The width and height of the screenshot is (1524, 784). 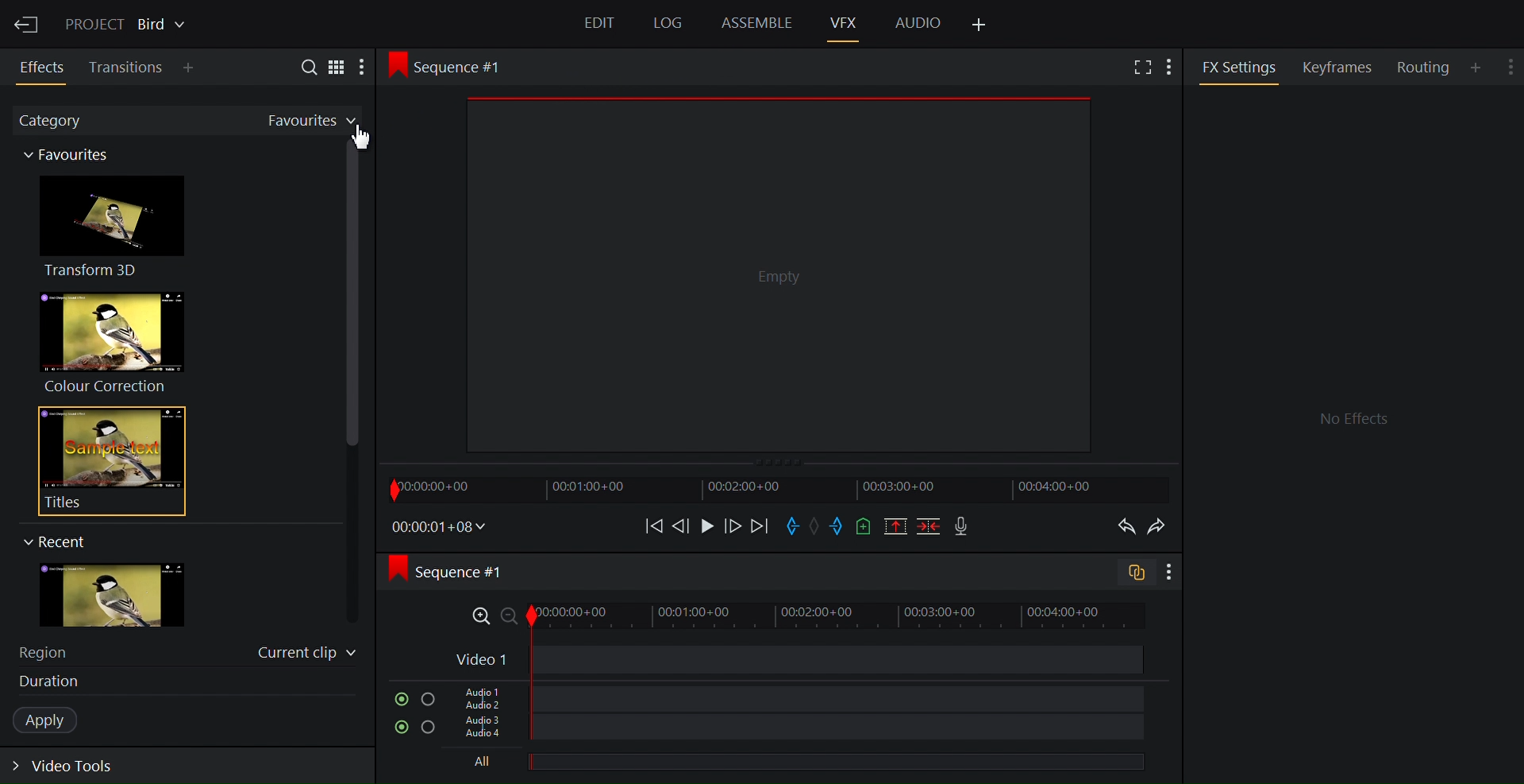 What do you see at coordinates (368, 67) in the screenshot?
I see `More` at bounding box center [368, 67].